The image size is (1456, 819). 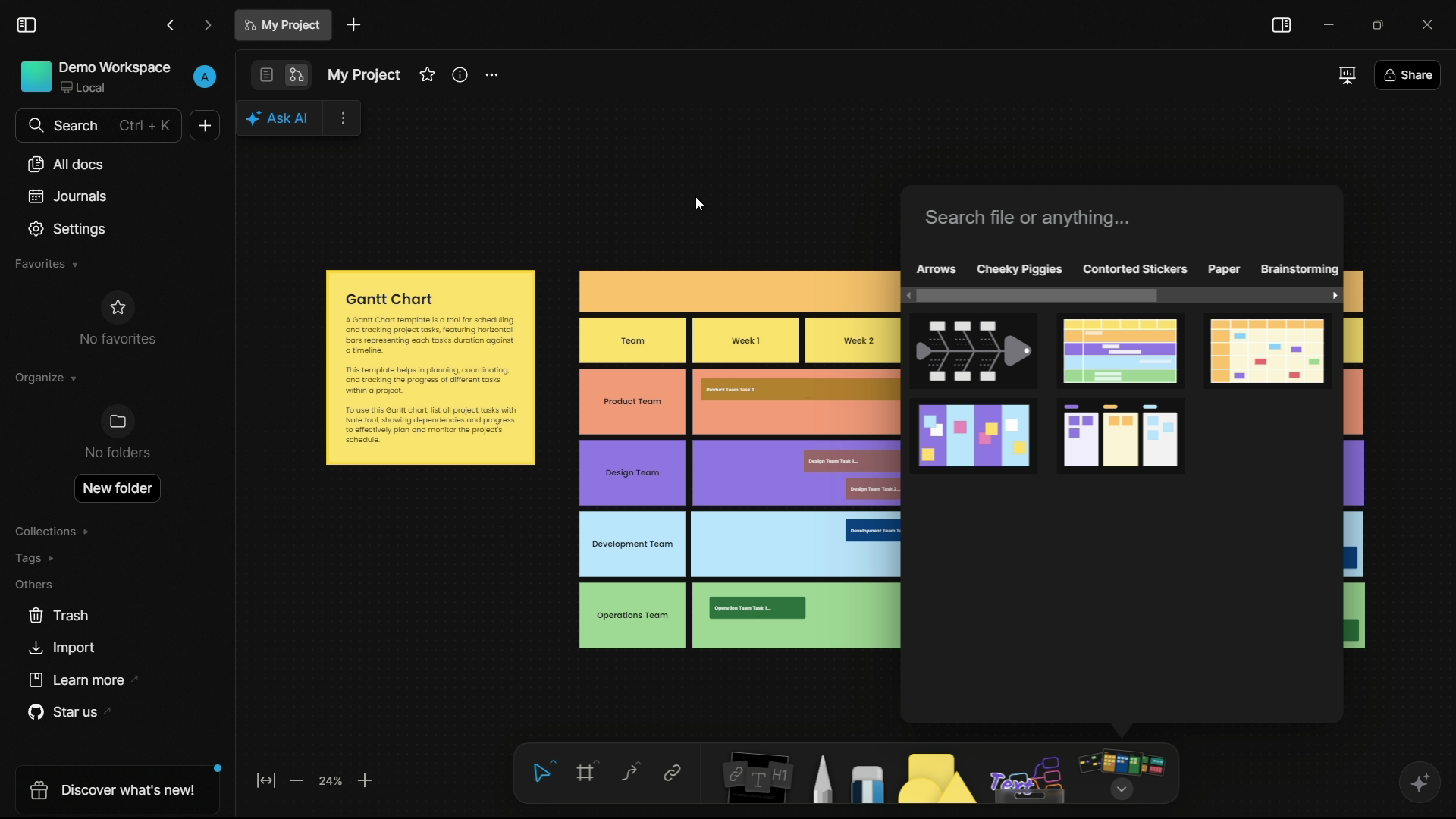 What do you see at coordinates (46, 265) in the screenshot?
I see `favorites` at bounding box center [46, 265].